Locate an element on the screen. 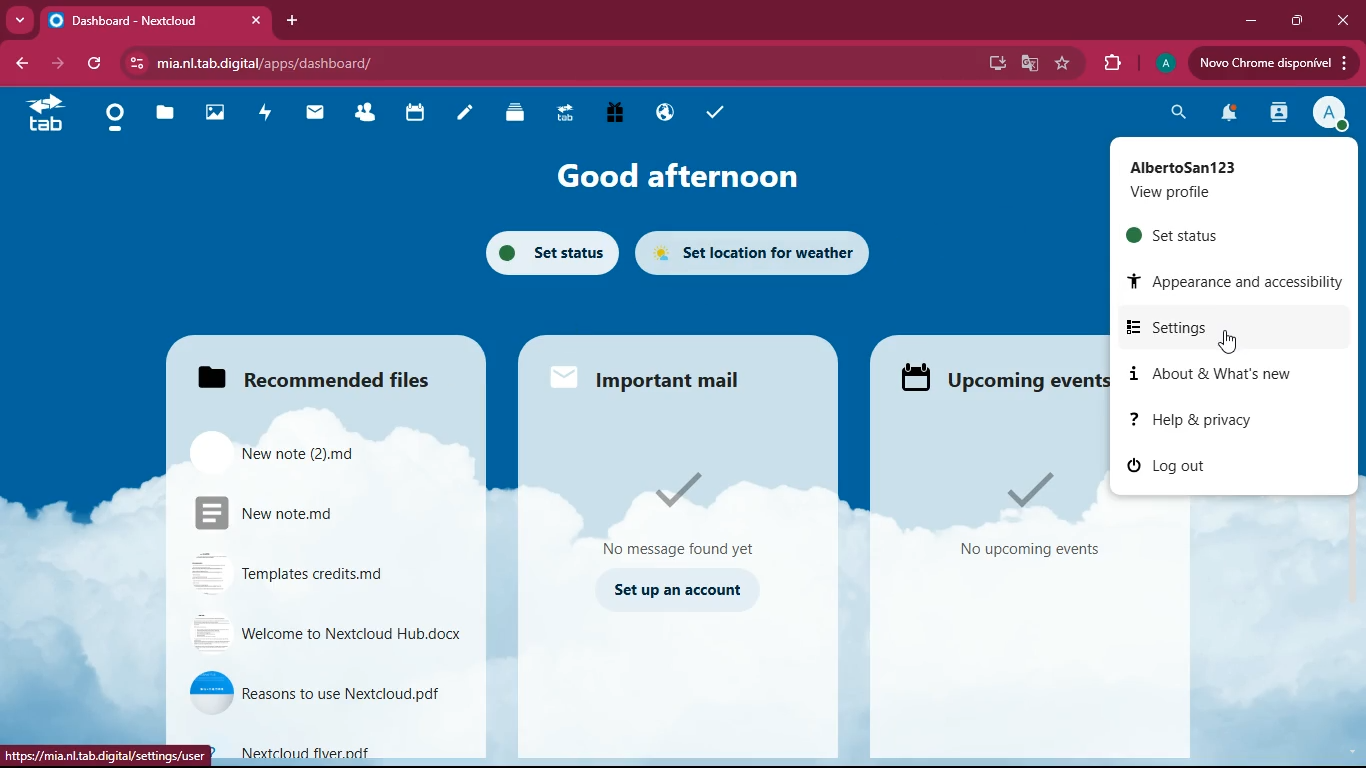 This screenshot has height=768, width=1366. profile is located at coordinates (1222, 178).